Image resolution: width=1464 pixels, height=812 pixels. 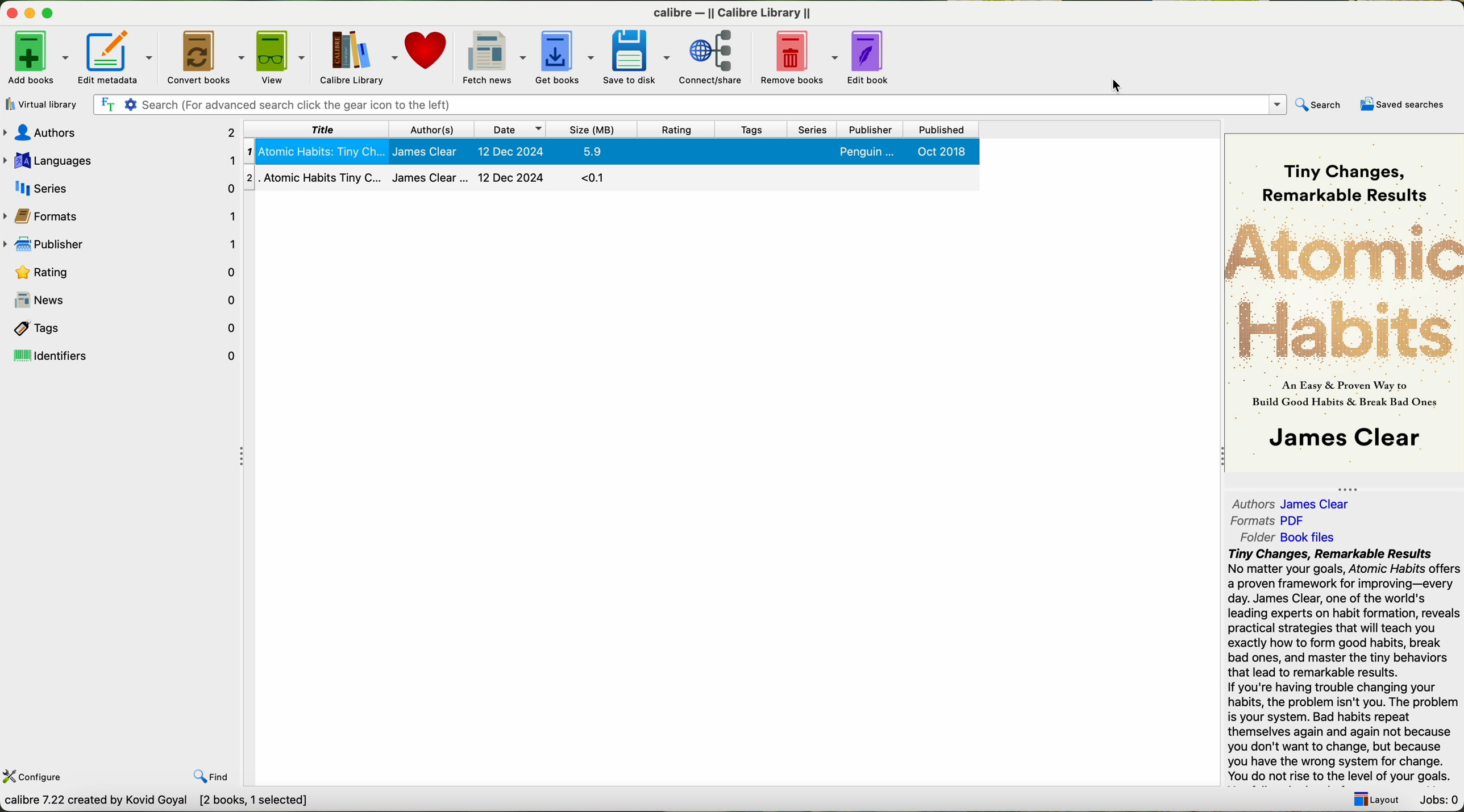 I want to click on convert books, so click(x=203, y=58).